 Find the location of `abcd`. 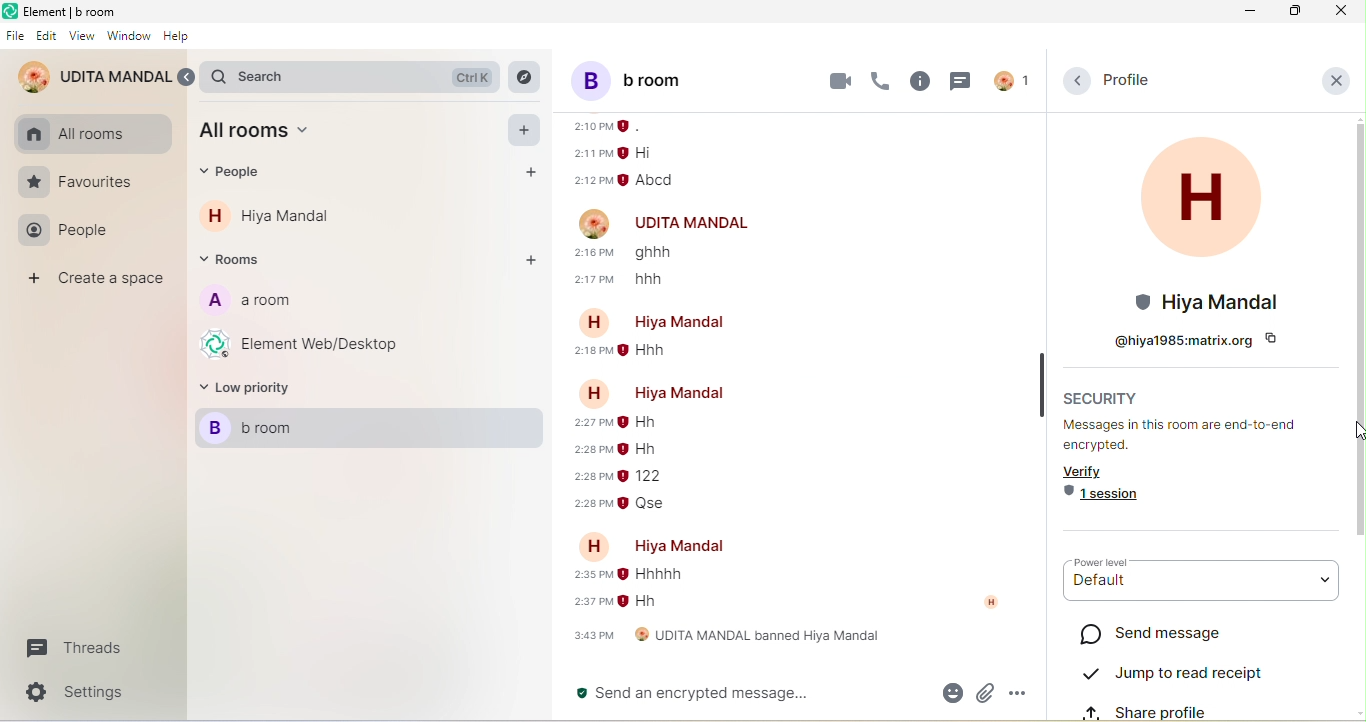

abcd is located at coordinates (661, 180).